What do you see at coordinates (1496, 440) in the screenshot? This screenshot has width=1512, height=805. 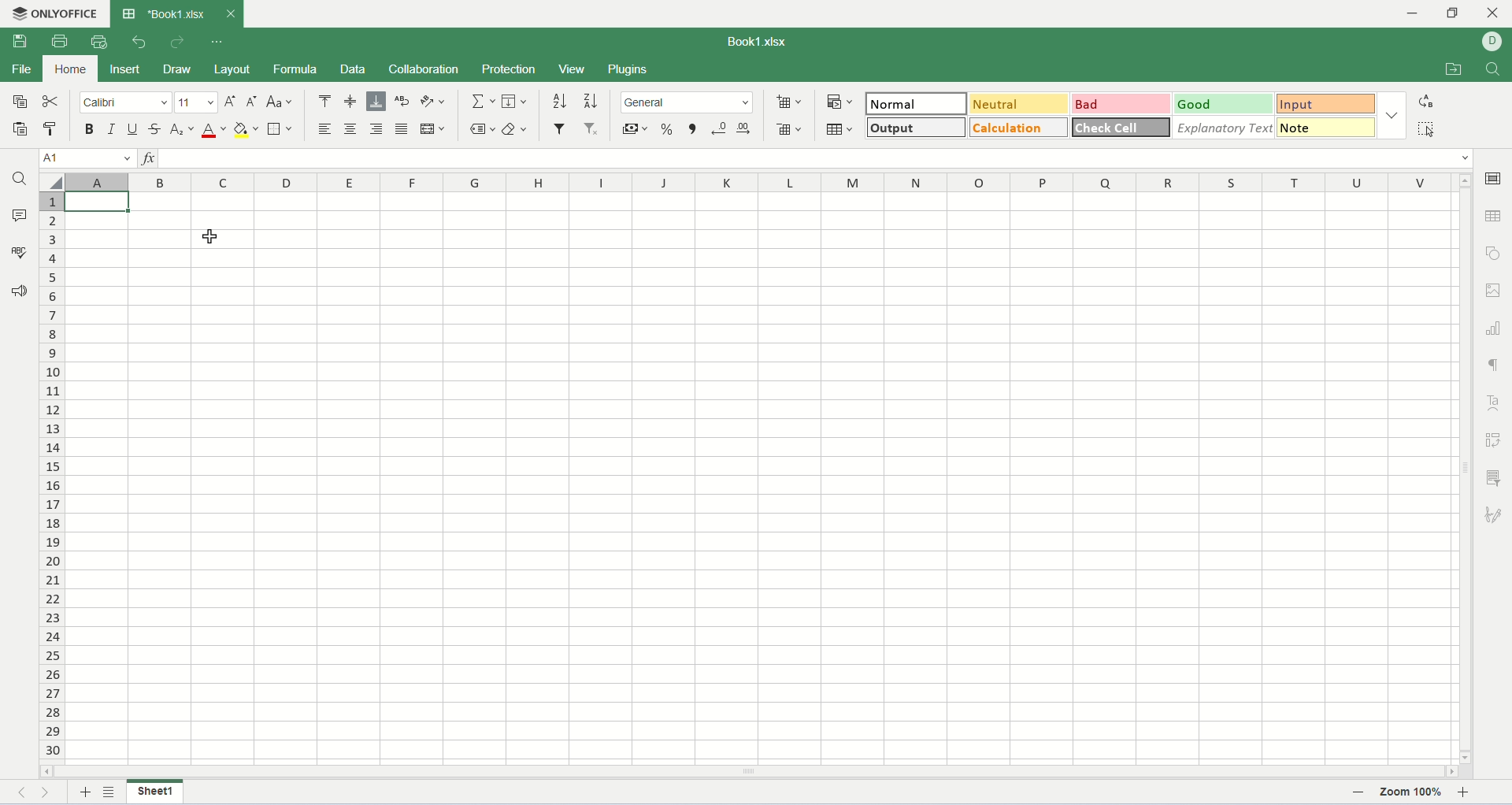 I see `pivot settings` at bounding box center [1496, 440].